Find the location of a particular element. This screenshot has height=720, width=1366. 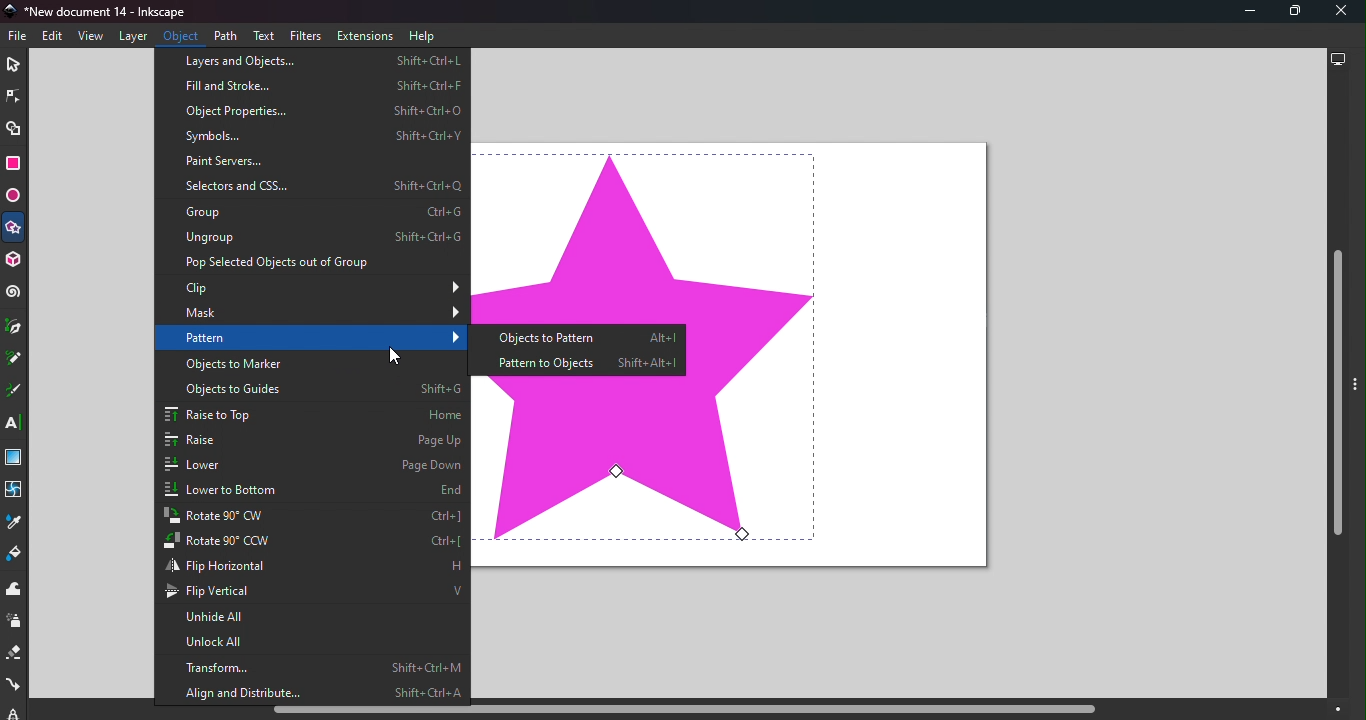

Unhide all is located at coordinates (315, 618).